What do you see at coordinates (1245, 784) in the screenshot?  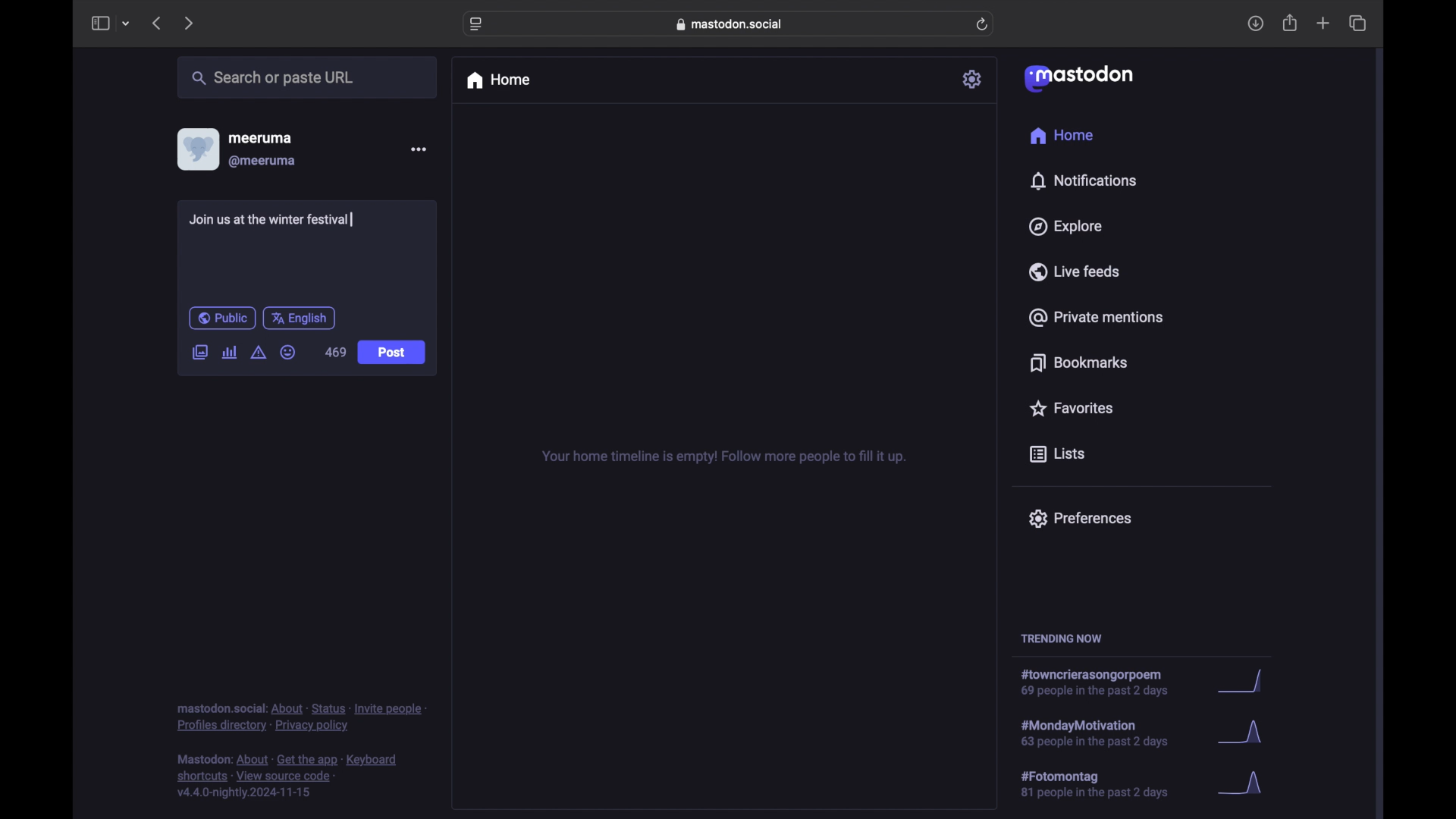 I see `graph` at bounding box center [1245, 784].